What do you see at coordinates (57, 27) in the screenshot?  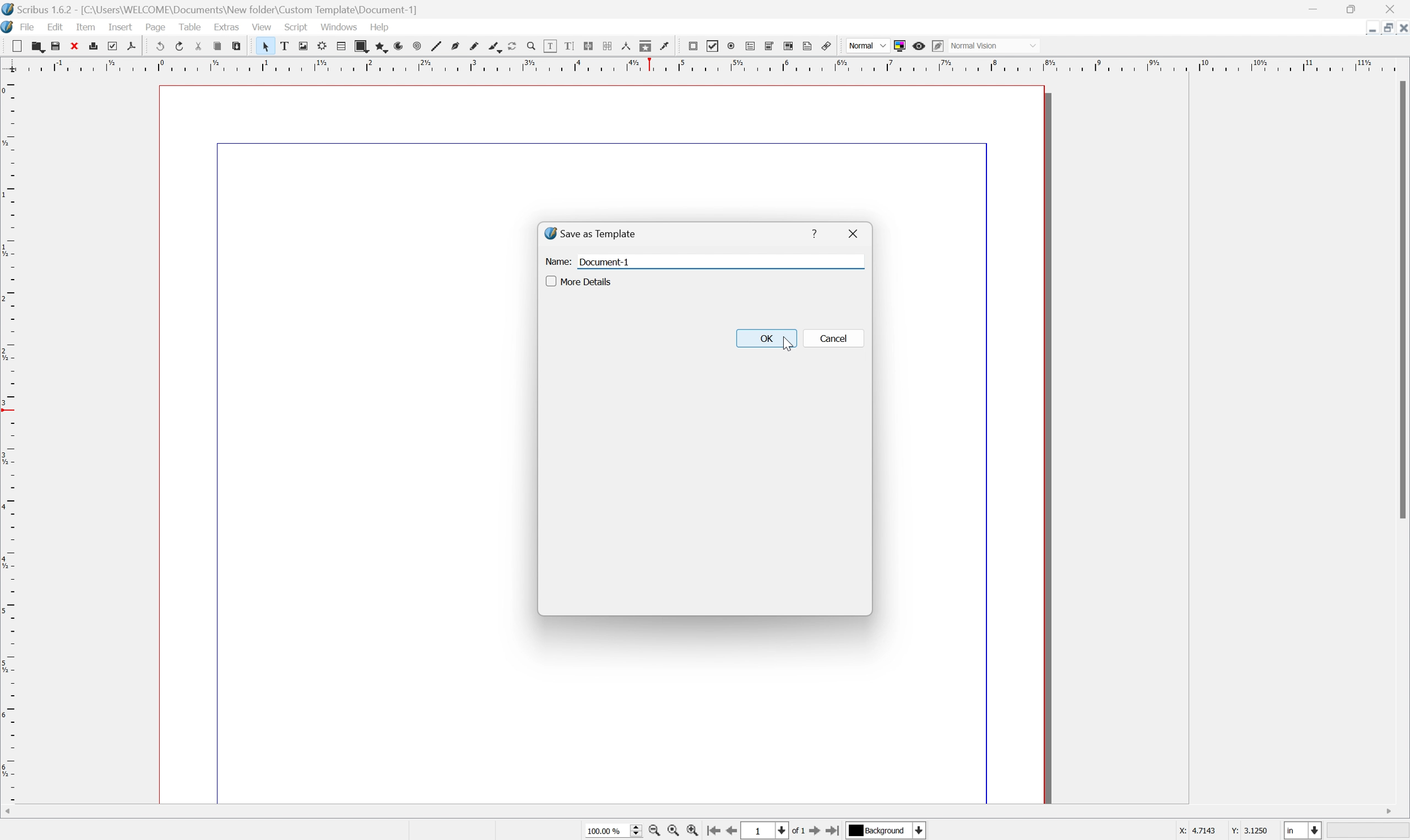 I see `edit` at bounding box center [57, 27].